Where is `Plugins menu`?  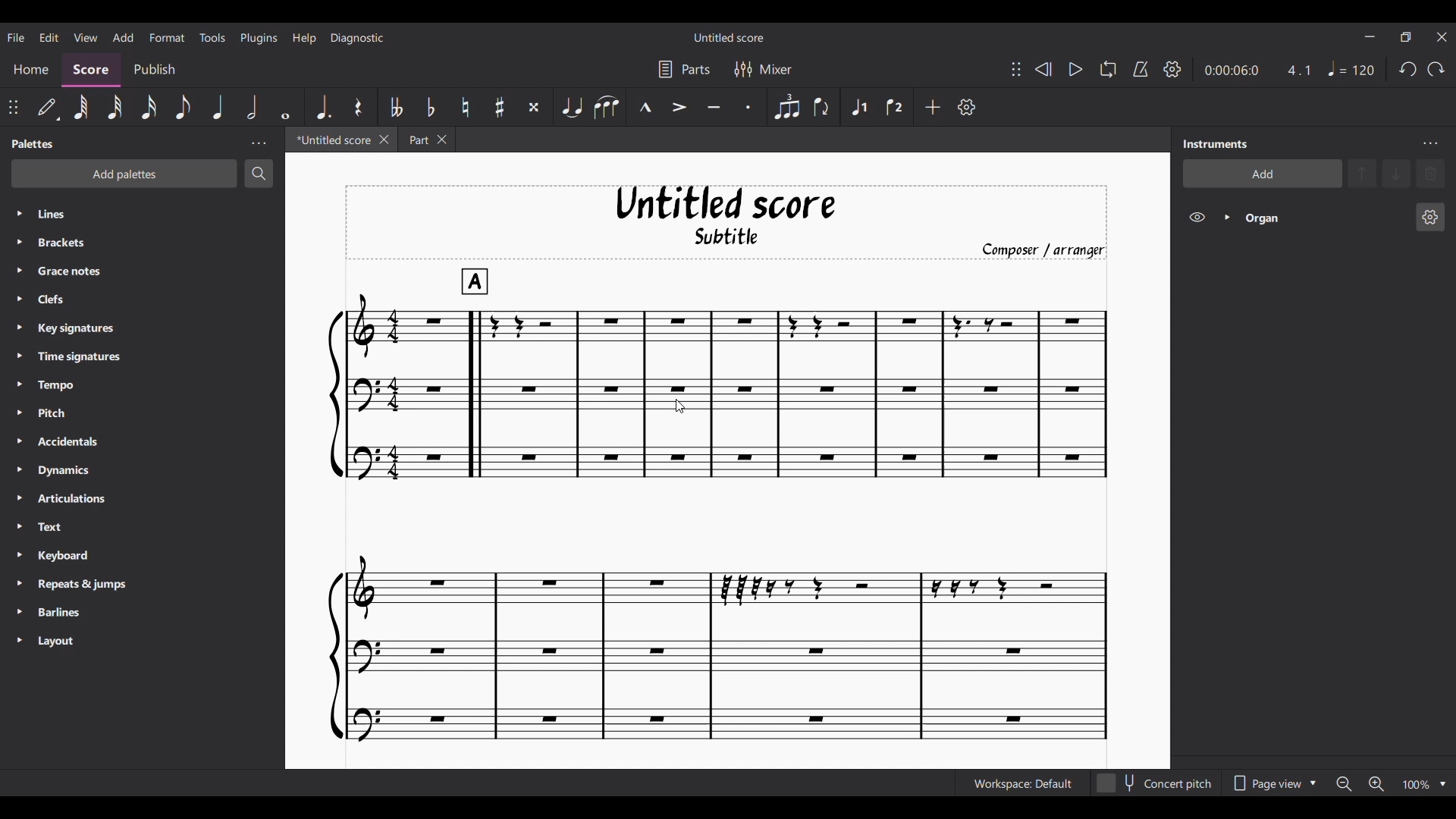
Plugins menu is located at coordinates (259, 37).